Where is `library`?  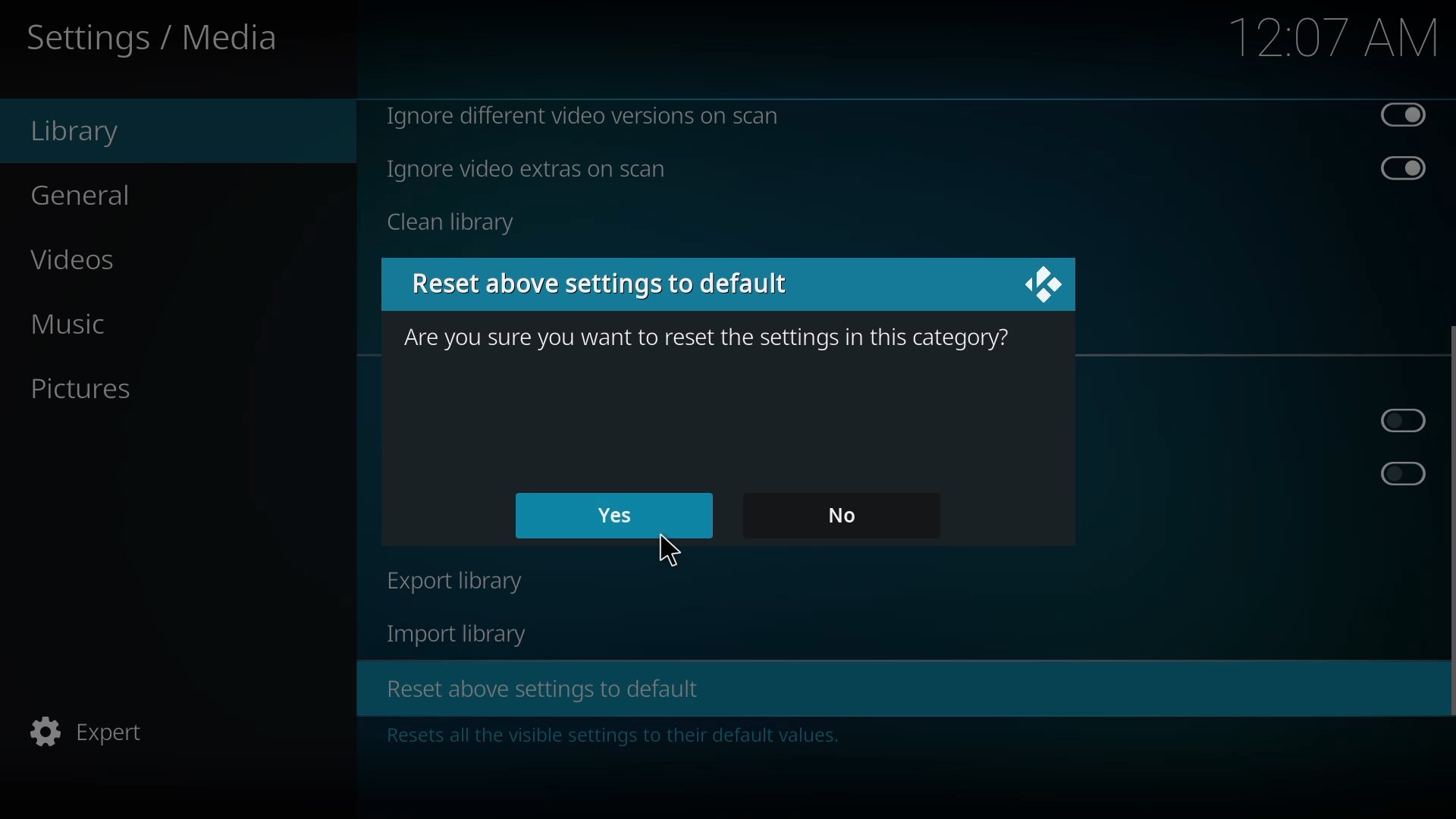 library is located at coordinates (75, 133).